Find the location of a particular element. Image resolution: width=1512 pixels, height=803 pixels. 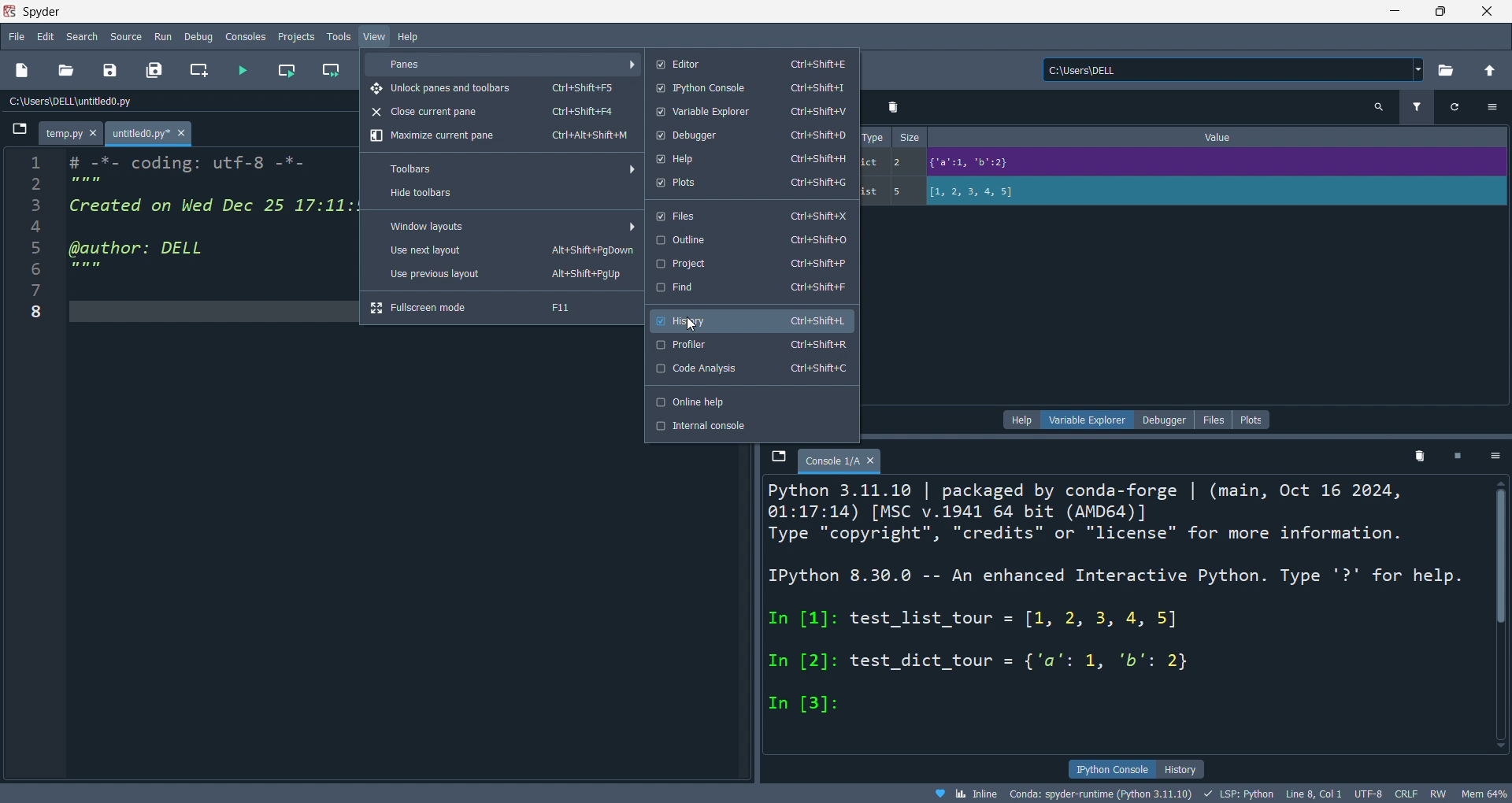

debugger is located at coordinates (749, 135).